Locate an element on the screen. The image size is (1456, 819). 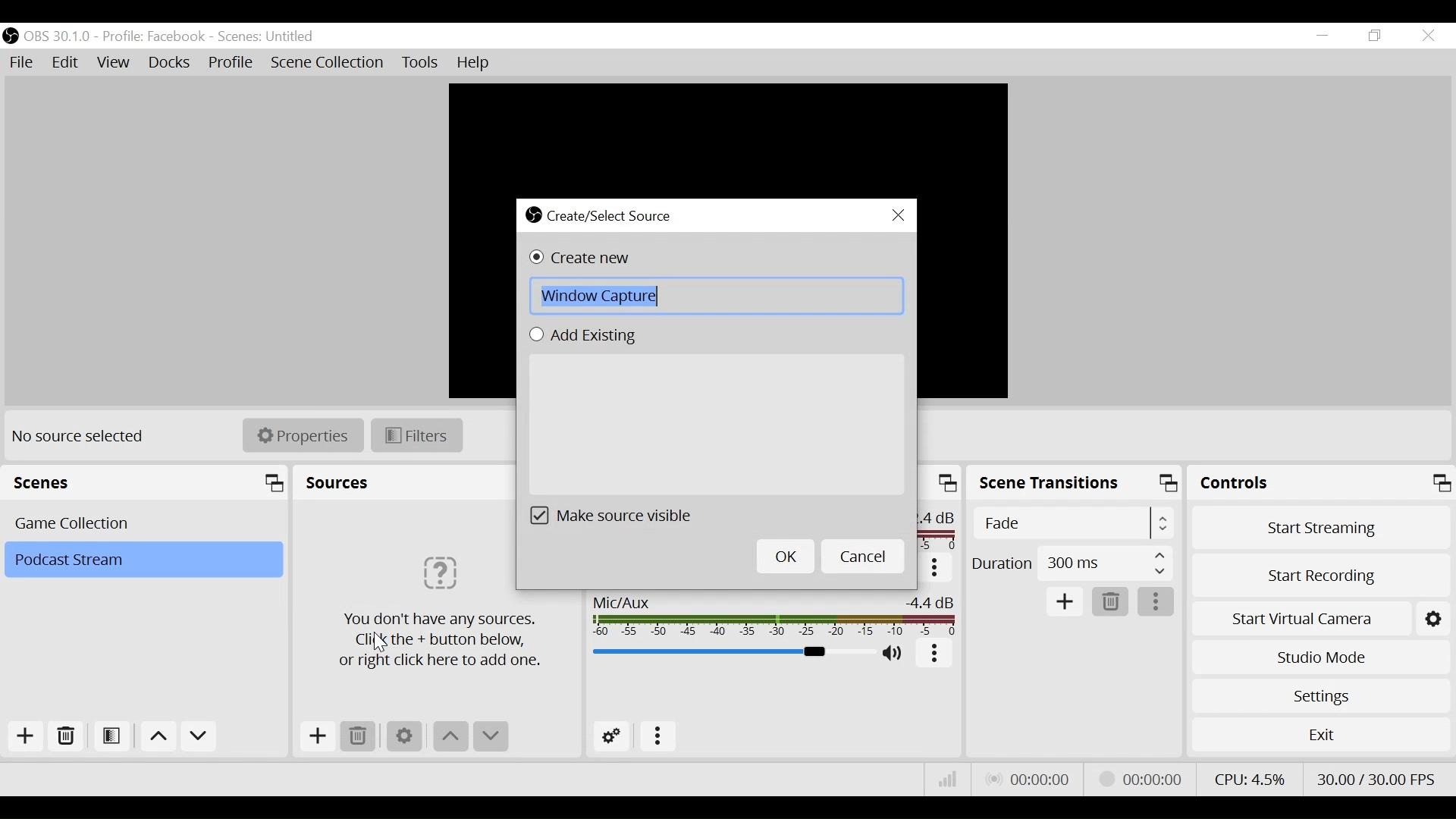
Remove is located at coordinates (64, 736).